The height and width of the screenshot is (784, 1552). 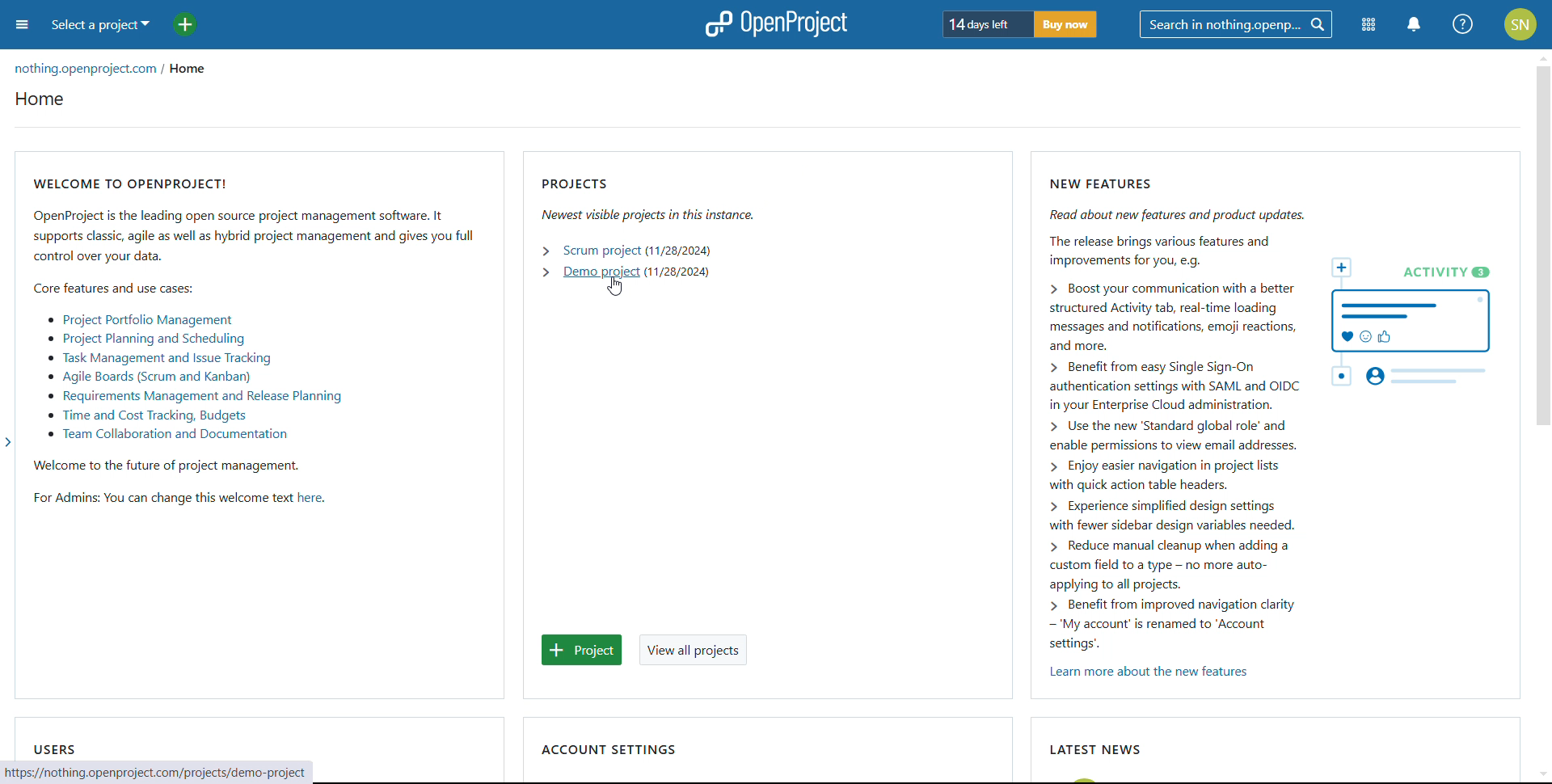 I want to click on expand, so click(x=546, y=272).